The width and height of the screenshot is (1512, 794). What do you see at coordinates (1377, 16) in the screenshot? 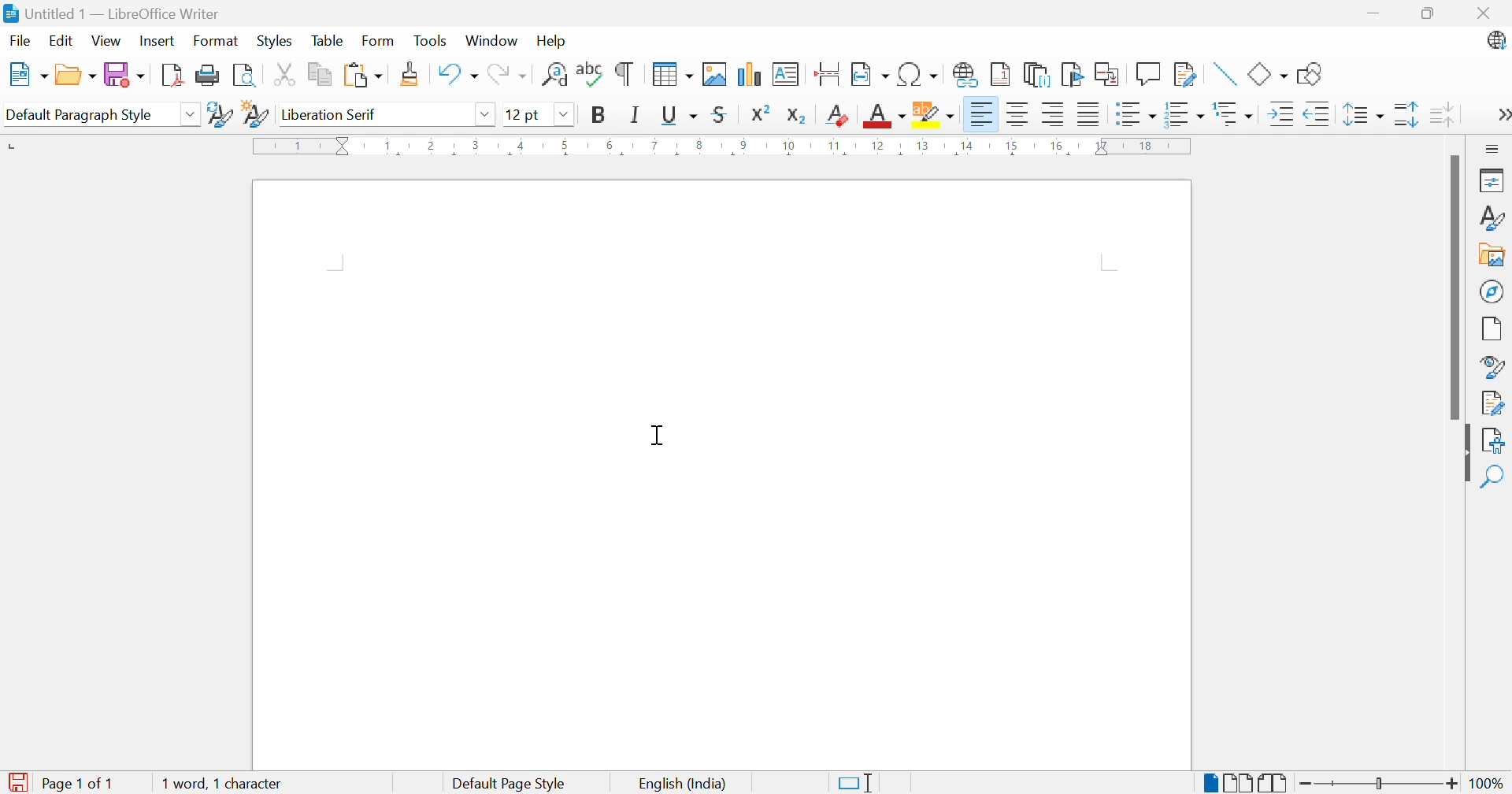
I see `Minimize` at bounding box center [1377, 16].